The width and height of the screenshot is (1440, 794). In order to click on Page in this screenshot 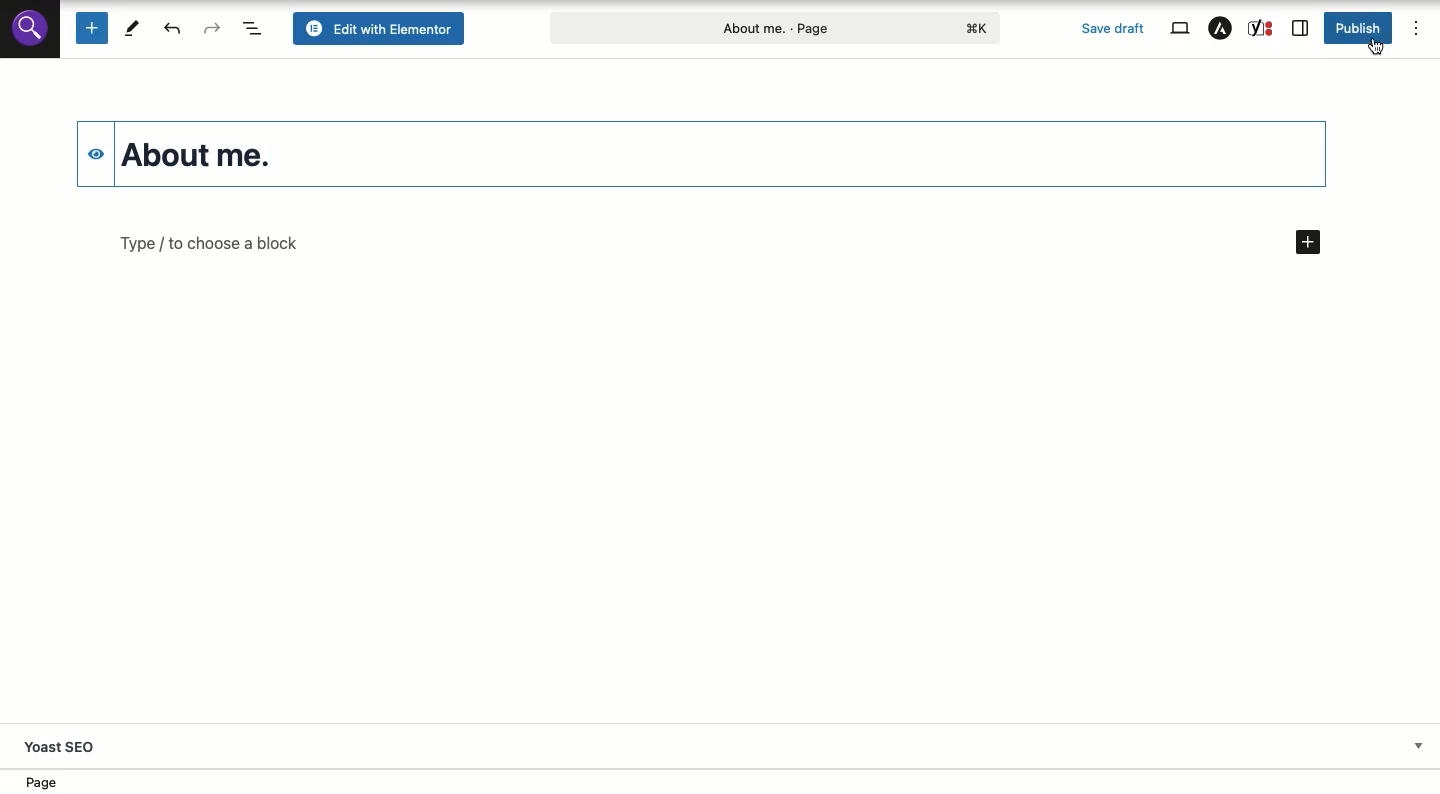, I will do `click(50, 783)`.